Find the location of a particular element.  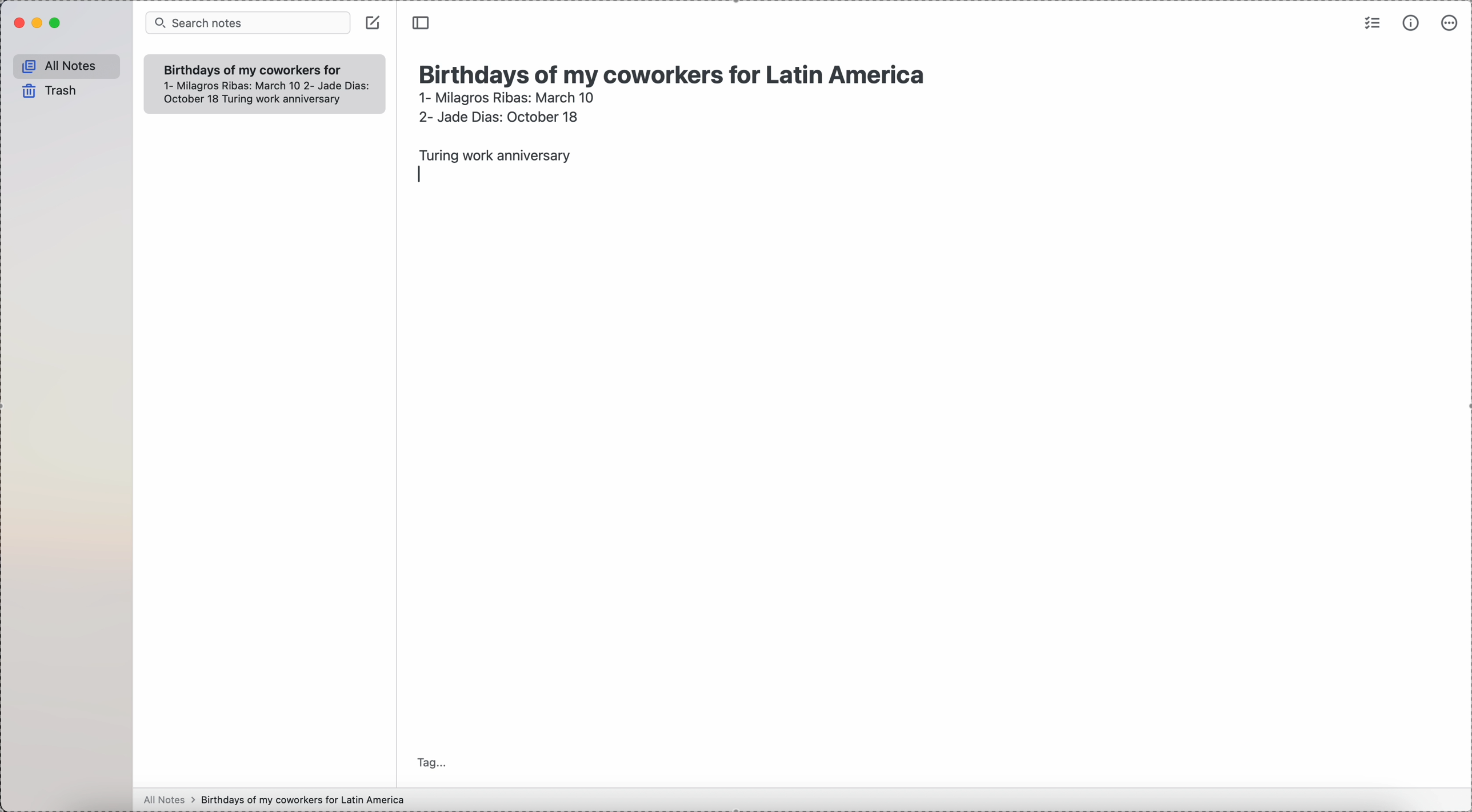

Birthdays of my coworkers for Latin America is located at coordinates (677, 72).